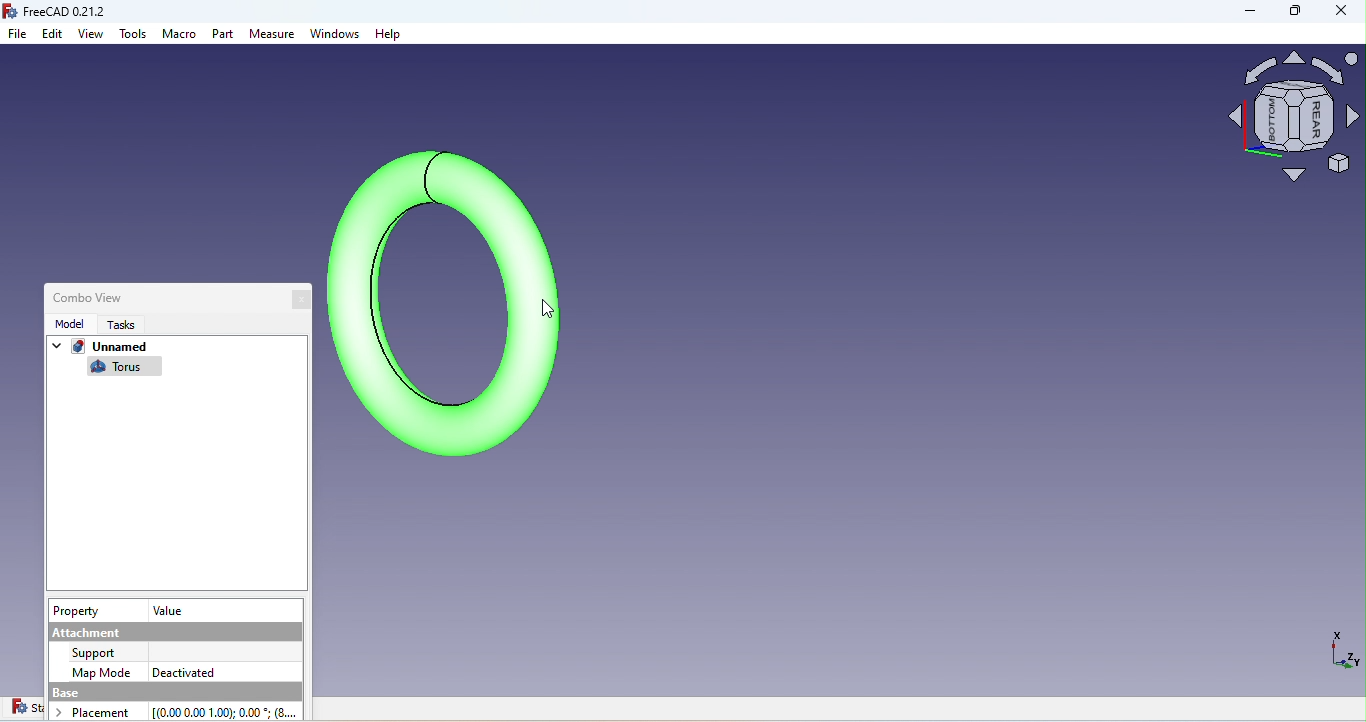 The height and width of the screenshot is (722, 1366). What do you see at coordinates (103, 671) in the screenshot?
I see `Map Mode` at bounding box center [103, 671].